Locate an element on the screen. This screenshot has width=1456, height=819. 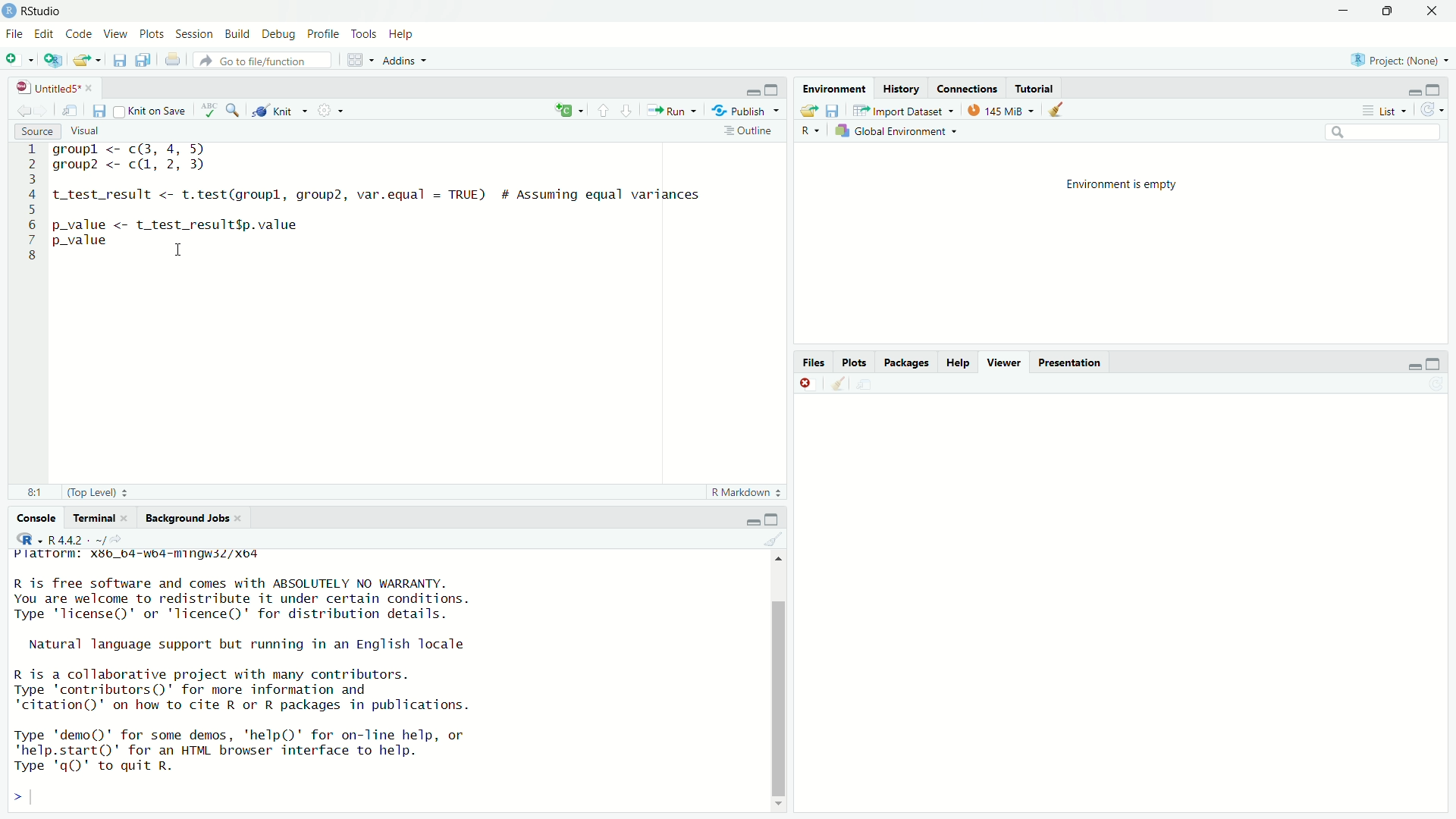
List ~ is located at coordinates (1381, 109).